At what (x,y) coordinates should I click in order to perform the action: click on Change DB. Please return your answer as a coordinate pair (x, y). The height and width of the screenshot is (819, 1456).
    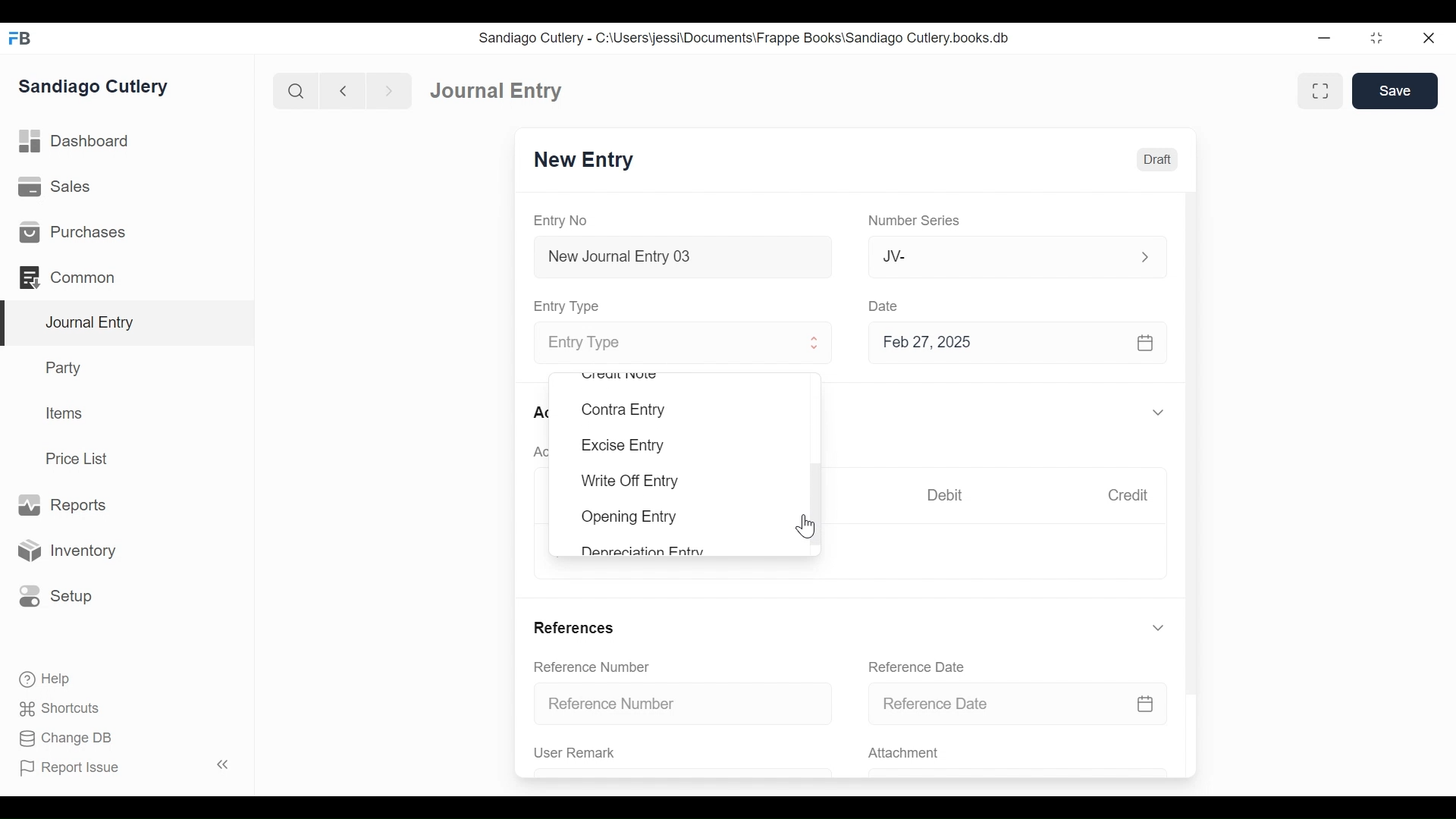
    Looking at the image, I should click on (64, 739).